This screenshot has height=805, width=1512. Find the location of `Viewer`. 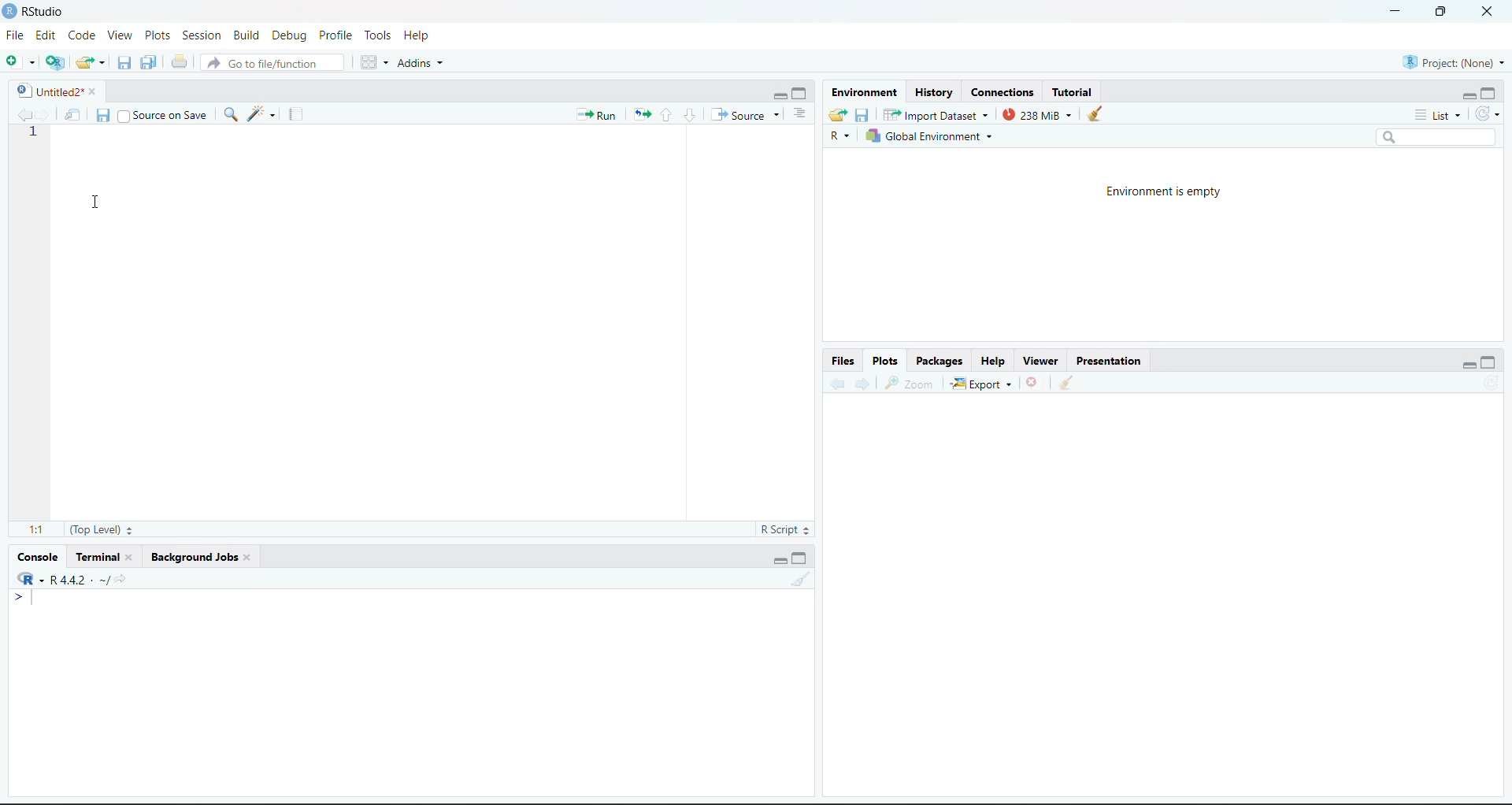

Viewer is located at coordinates (1043, 361).